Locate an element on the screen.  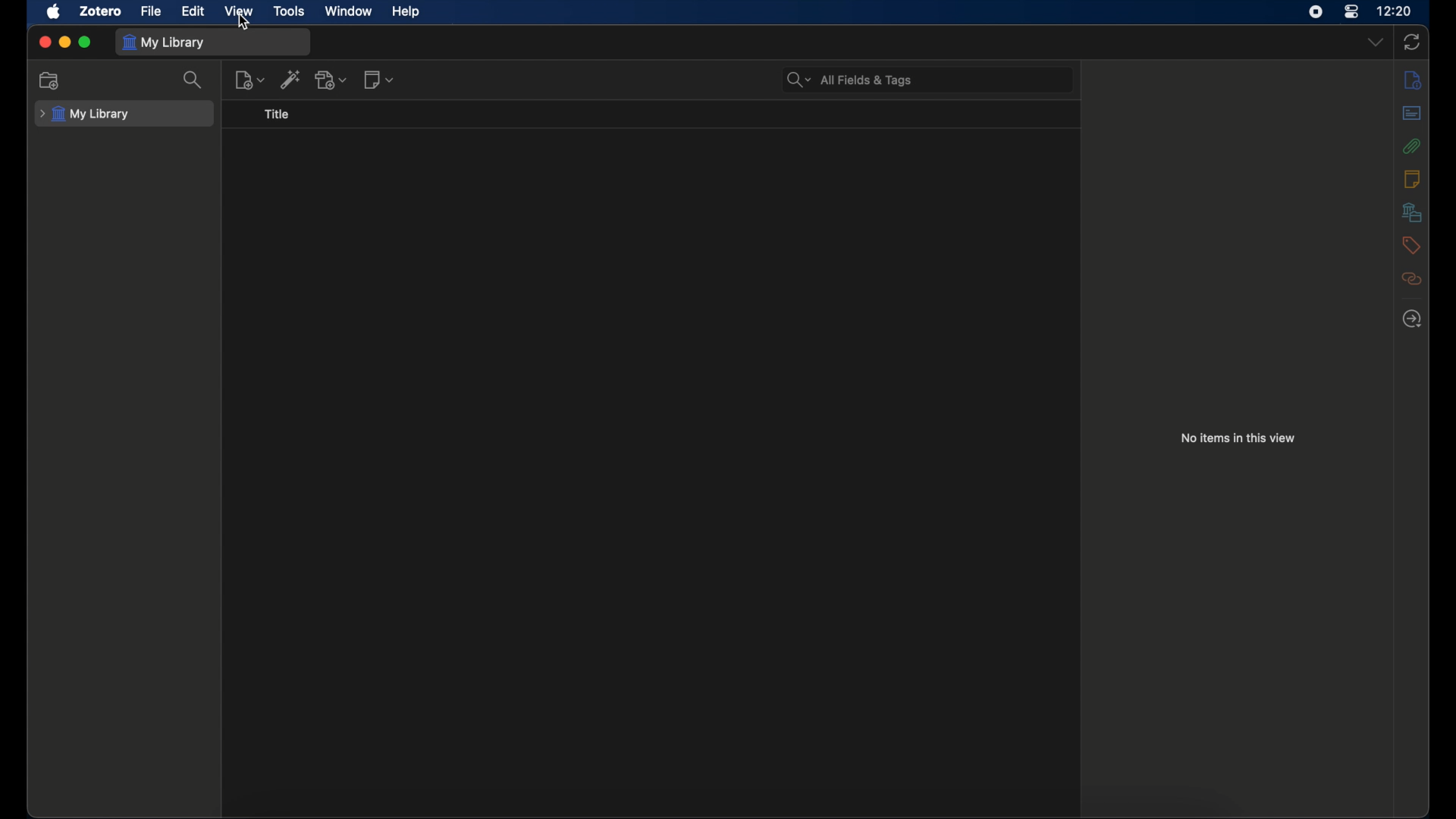
minimize is located at coordinates (65, 42).